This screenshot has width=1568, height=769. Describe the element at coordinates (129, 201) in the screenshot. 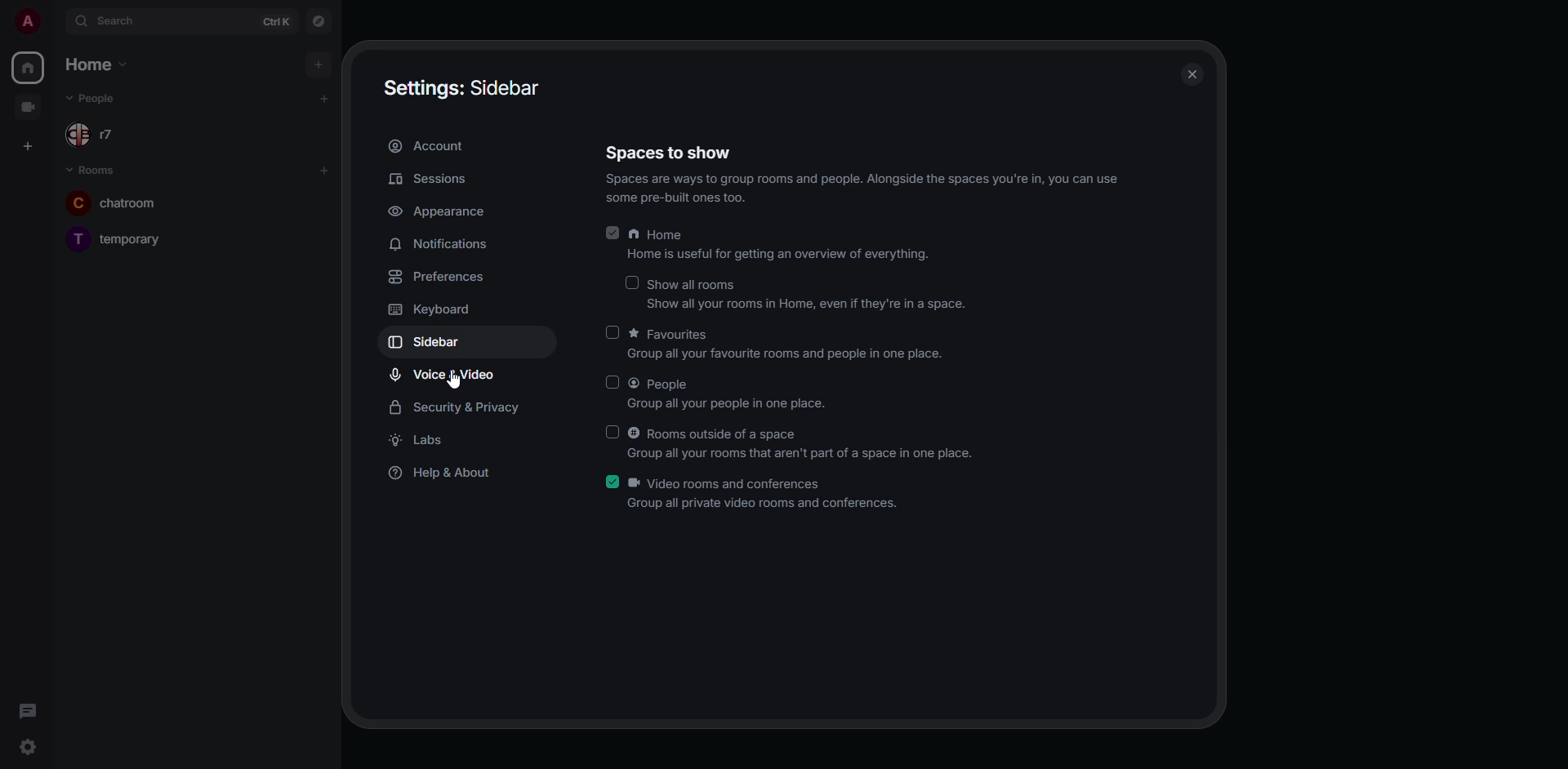

I see `chatroom` at that location.